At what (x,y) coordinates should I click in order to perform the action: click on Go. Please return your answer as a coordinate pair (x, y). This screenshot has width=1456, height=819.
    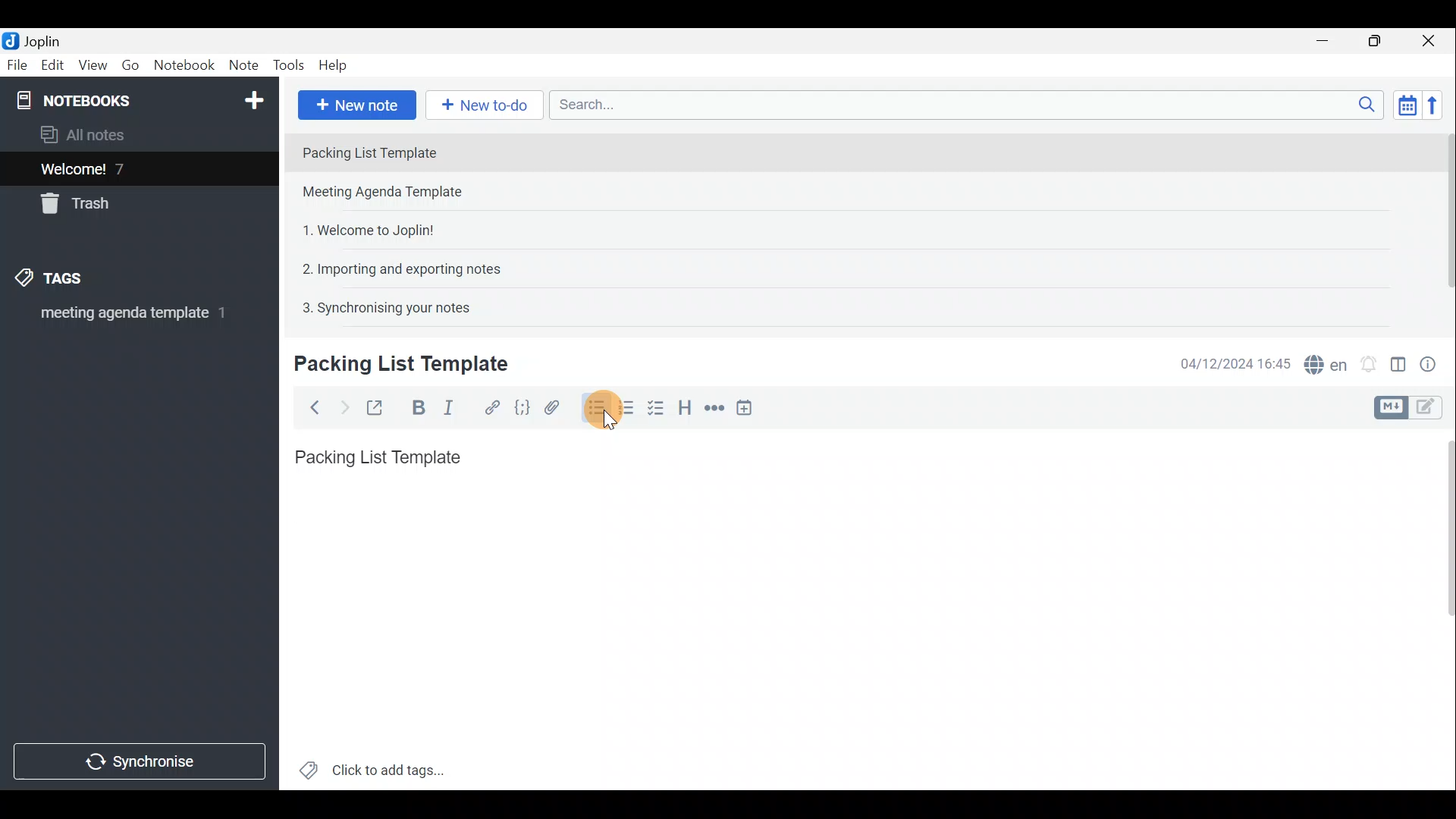
    Looking at the image, I should click on (131, 65).